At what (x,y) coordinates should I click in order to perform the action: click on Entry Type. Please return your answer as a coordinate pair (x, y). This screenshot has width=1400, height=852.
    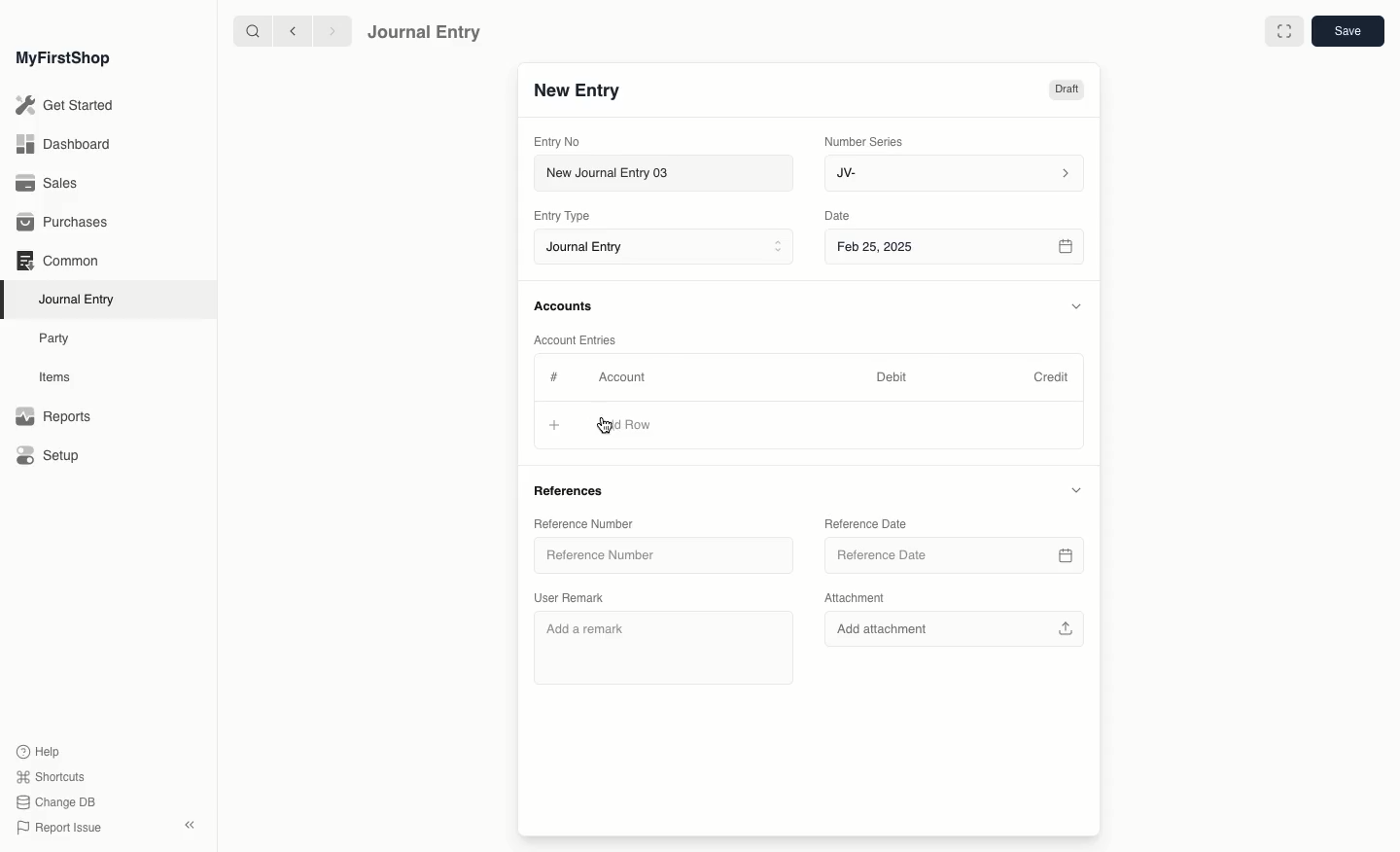
    Looking at the image, I should click on (568, 216).